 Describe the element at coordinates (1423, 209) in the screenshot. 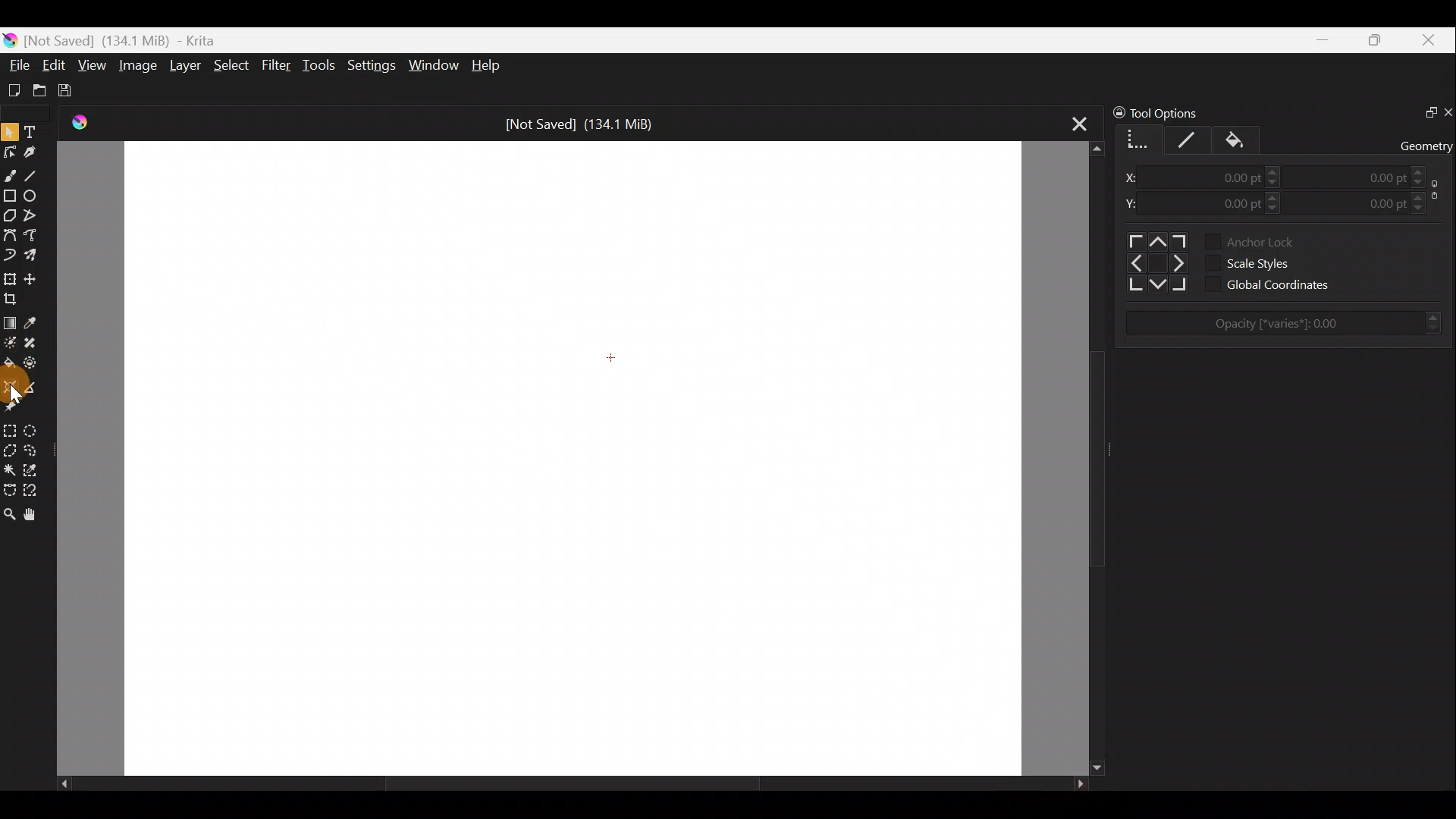

I see `Decrease` at that location.